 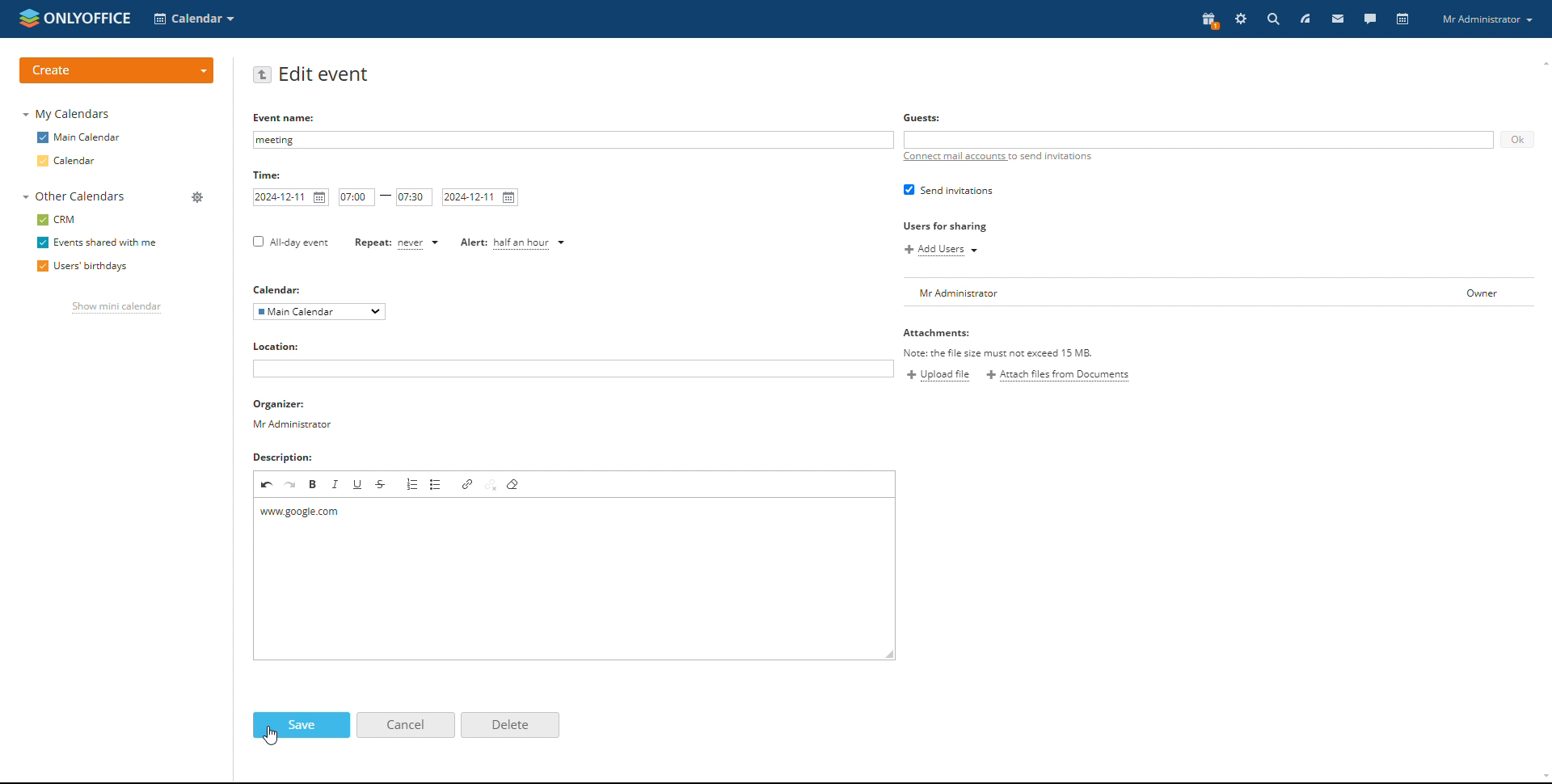 What do you see at coordinates (938, 375) in the screenshot?
I see `upload file` at bounding box center [938, 375].